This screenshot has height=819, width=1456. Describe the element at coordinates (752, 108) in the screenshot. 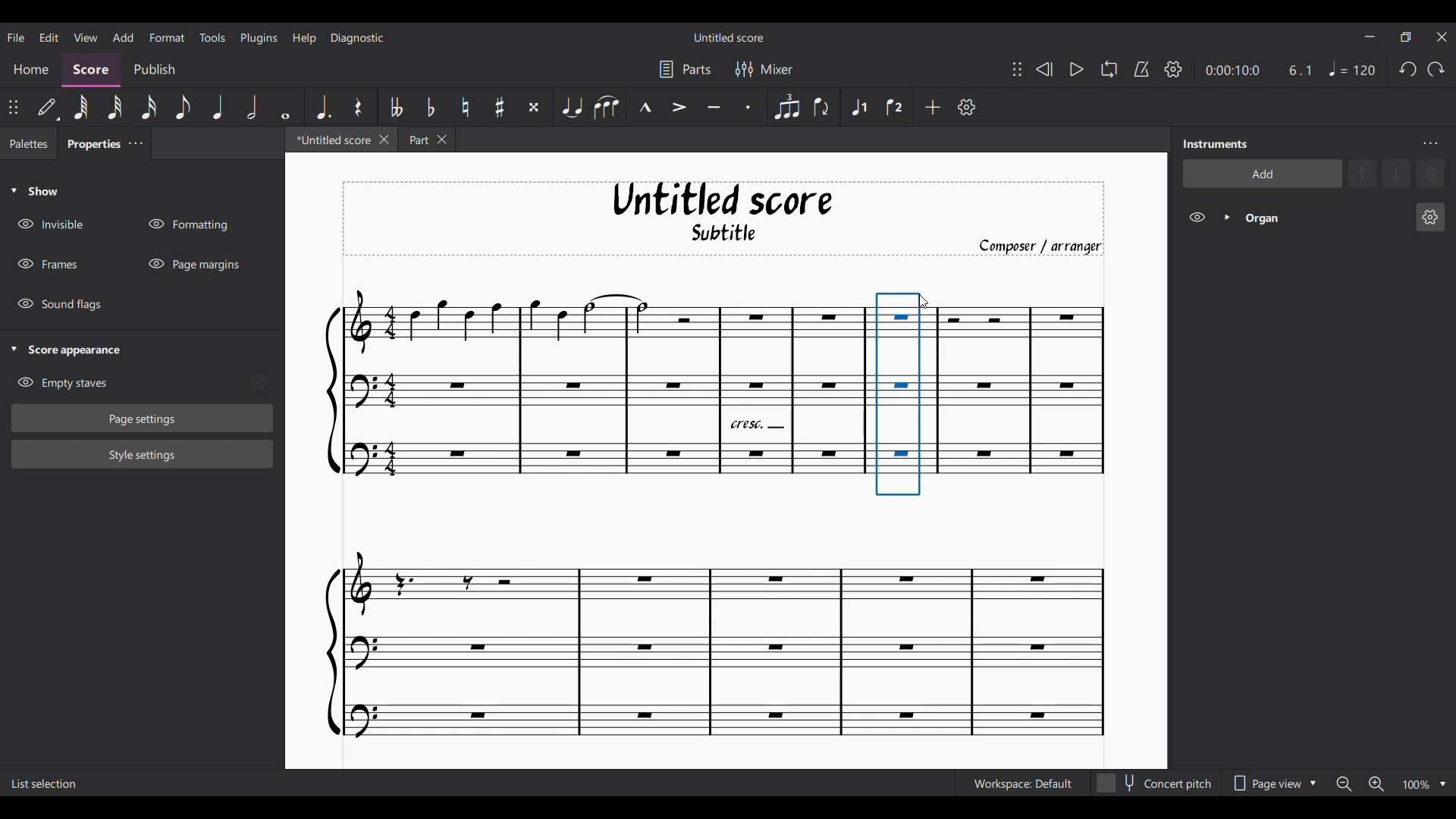

I see `Staccato` at that location.